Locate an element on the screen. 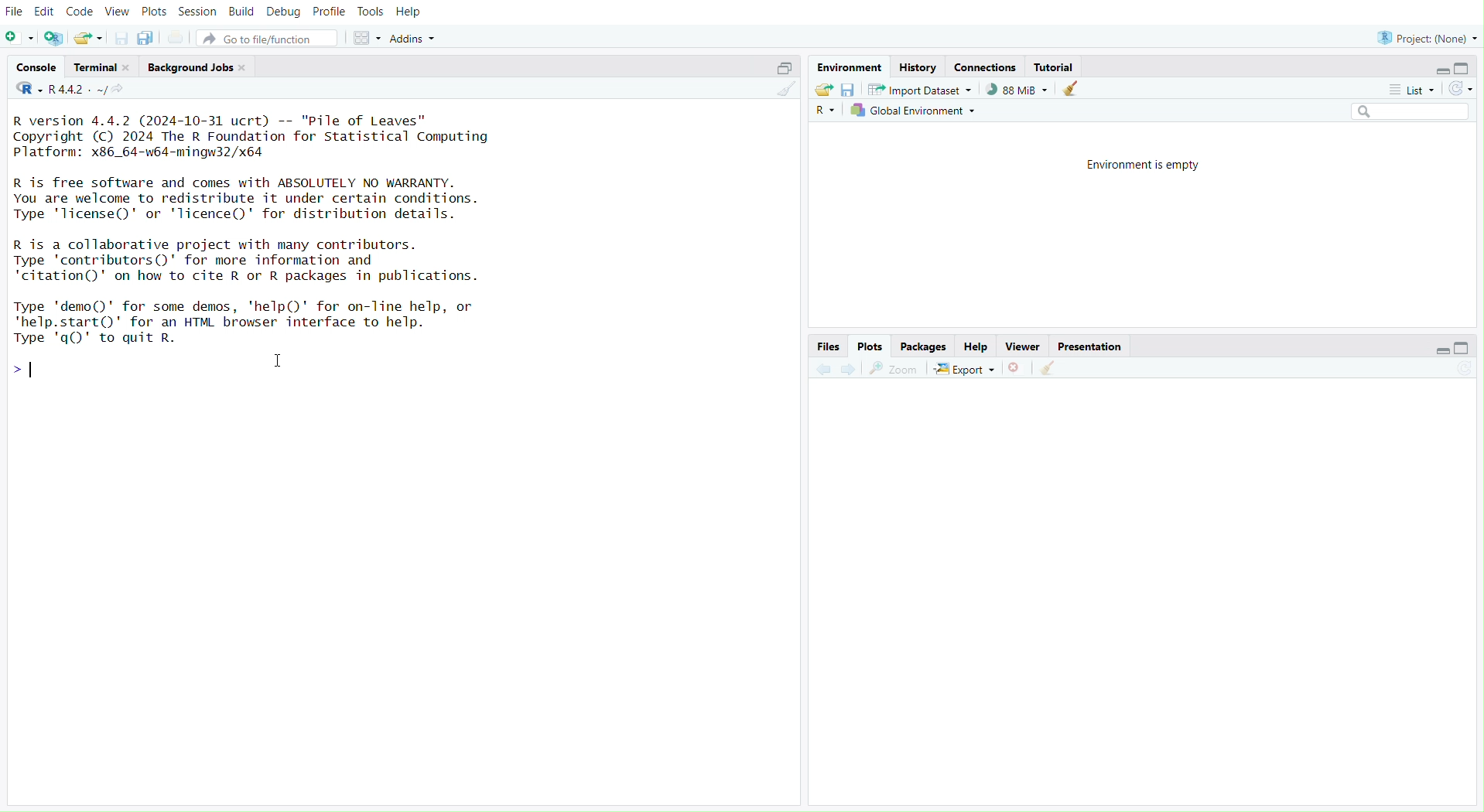 The width and height of the screenshot is (1484, 812). New file is located at coordinates (19, 37).